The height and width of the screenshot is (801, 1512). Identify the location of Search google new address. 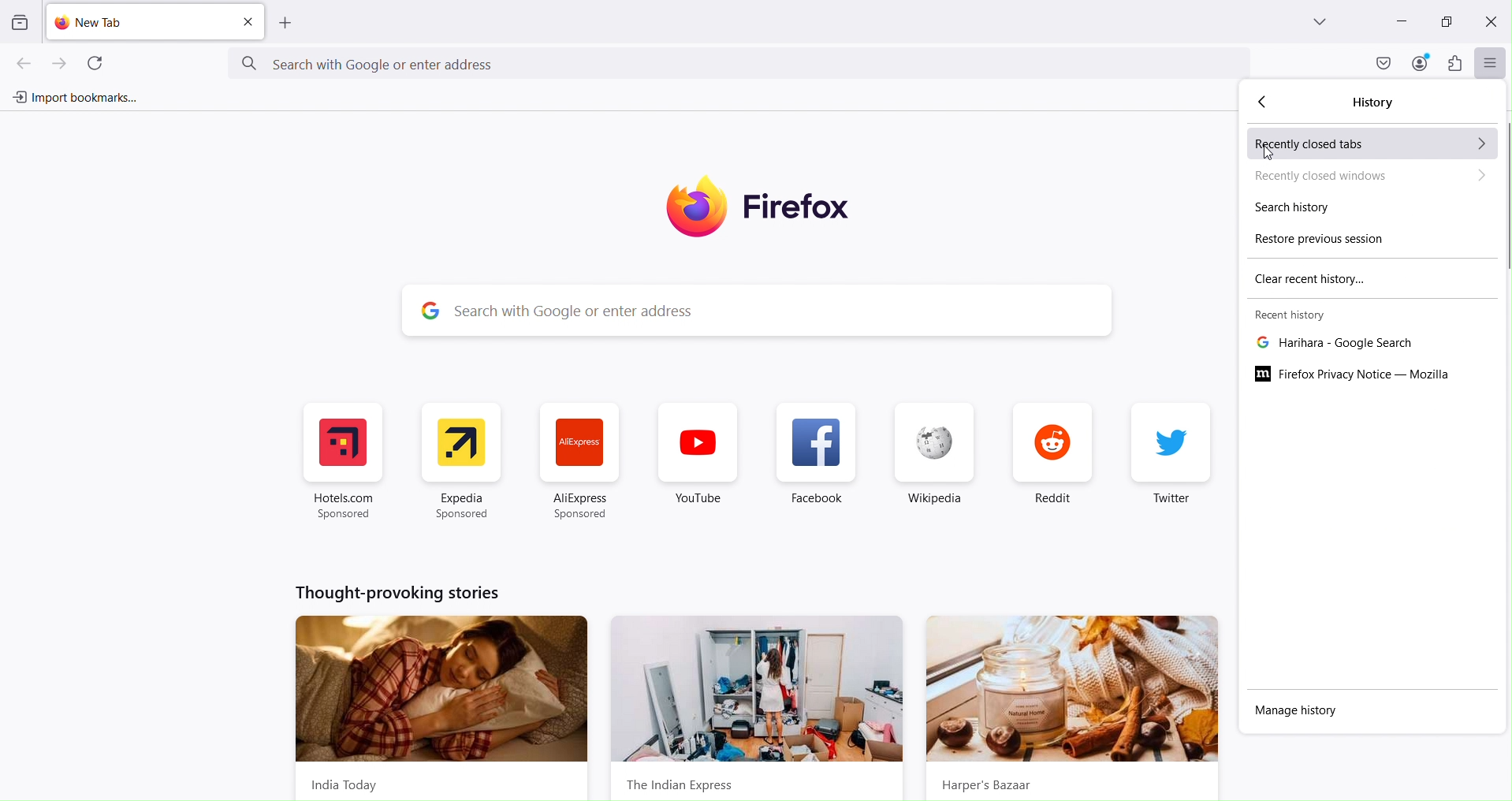
(741, 64).